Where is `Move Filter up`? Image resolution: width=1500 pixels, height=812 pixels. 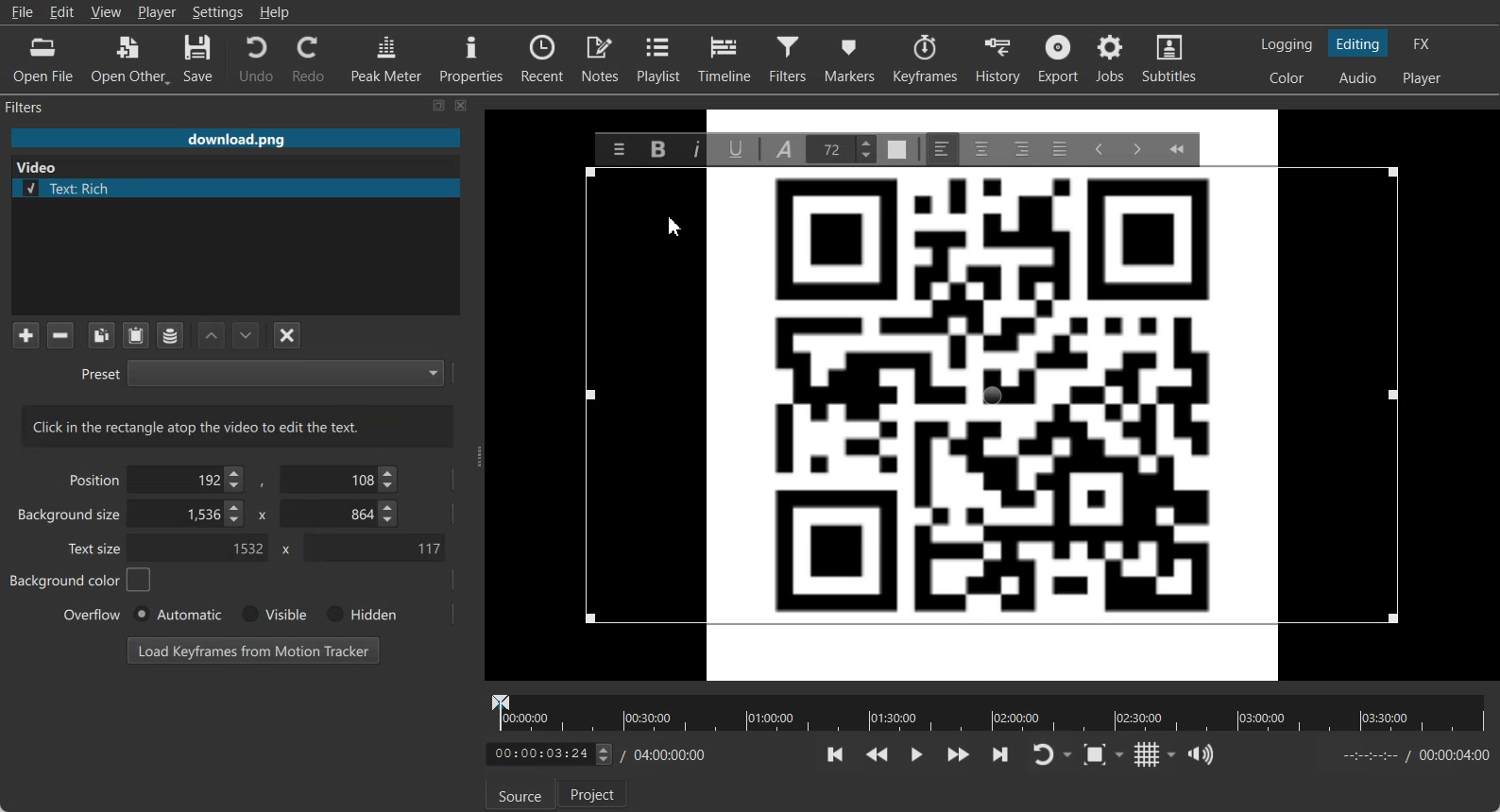 Move Filter up is located at coordinates (212, 336).